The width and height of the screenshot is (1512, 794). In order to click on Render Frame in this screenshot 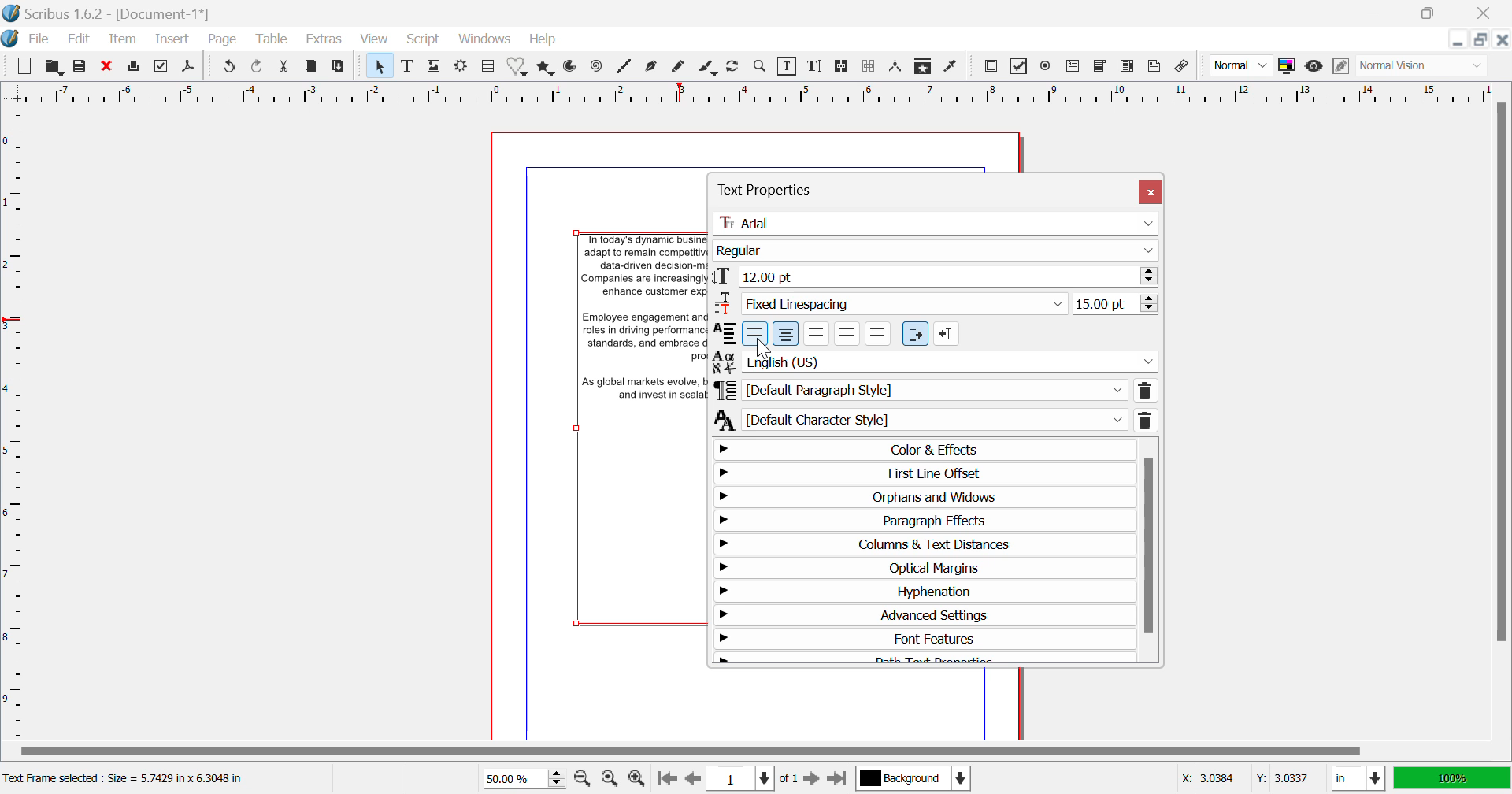, I will do `click(464, 66)`.